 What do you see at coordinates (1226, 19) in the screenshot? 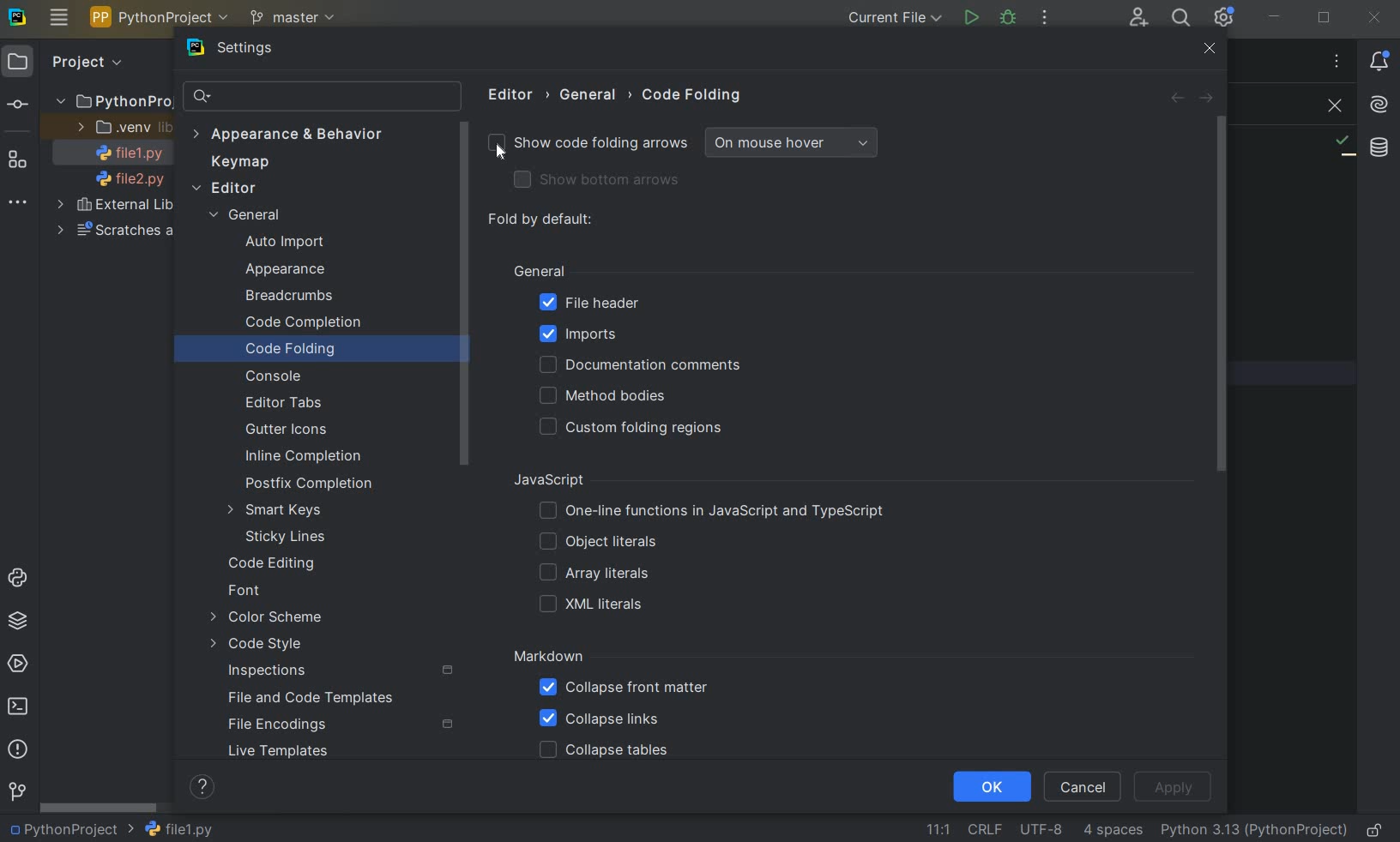
I see `IDE AND PROJECT SETTINGS` at bounding box center [1226, 19].